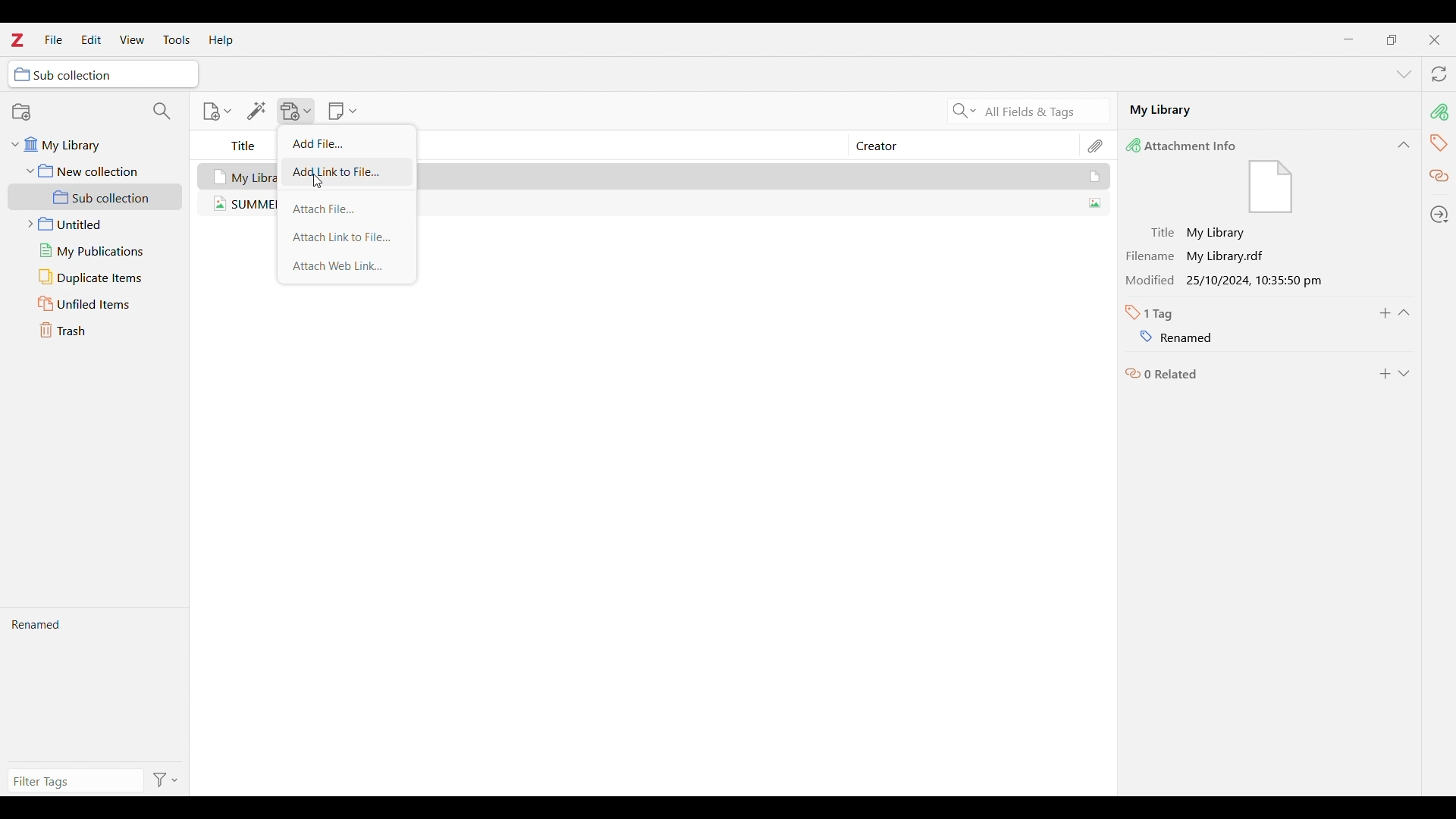 The height and width of the screenshot is (819, 1456). Describe the element at coordinates (1434, 39) in the screenshot. I see `Close interface` at that location.